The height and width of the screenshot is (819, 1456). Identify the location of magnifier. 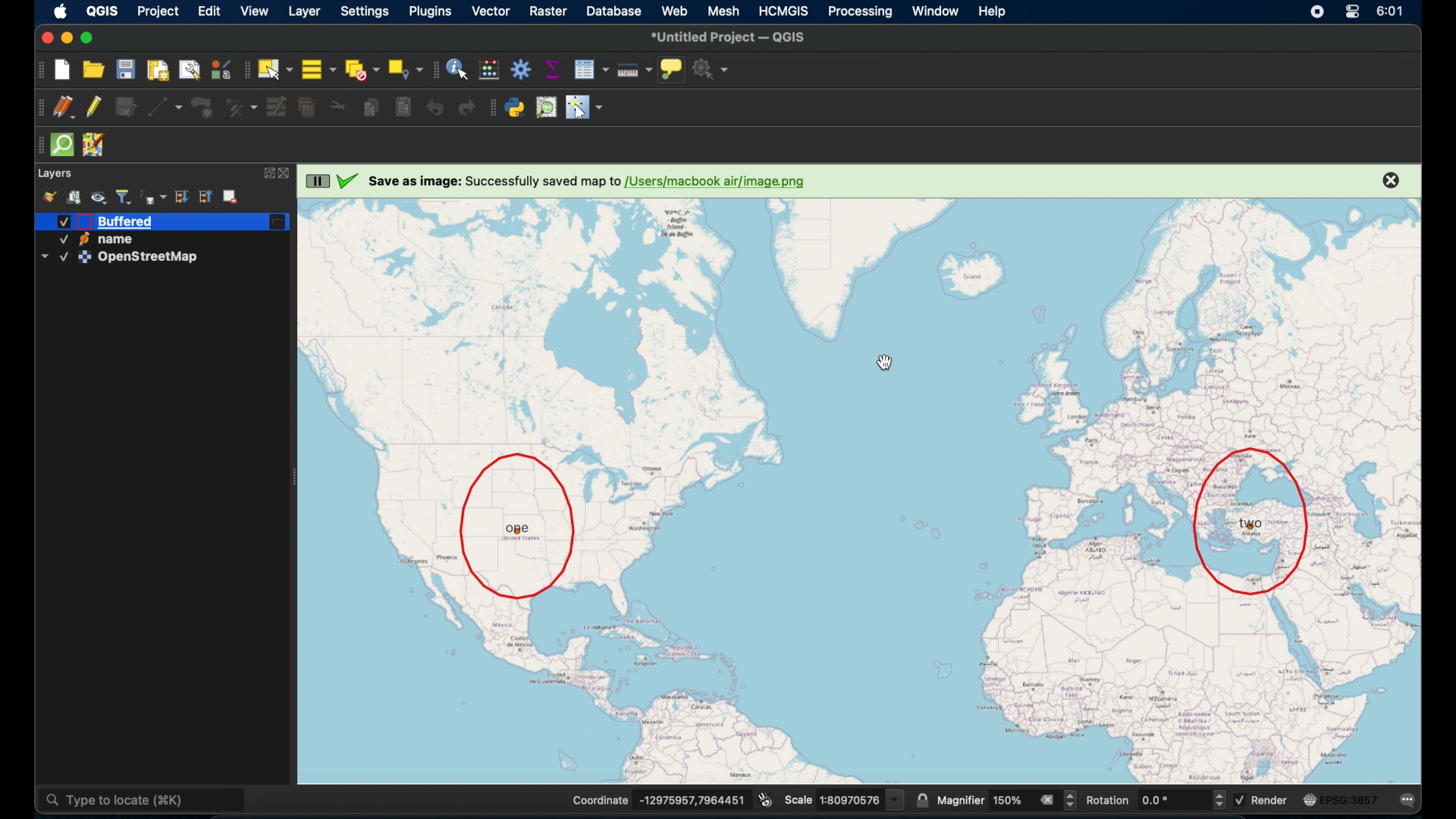
(959, 801).